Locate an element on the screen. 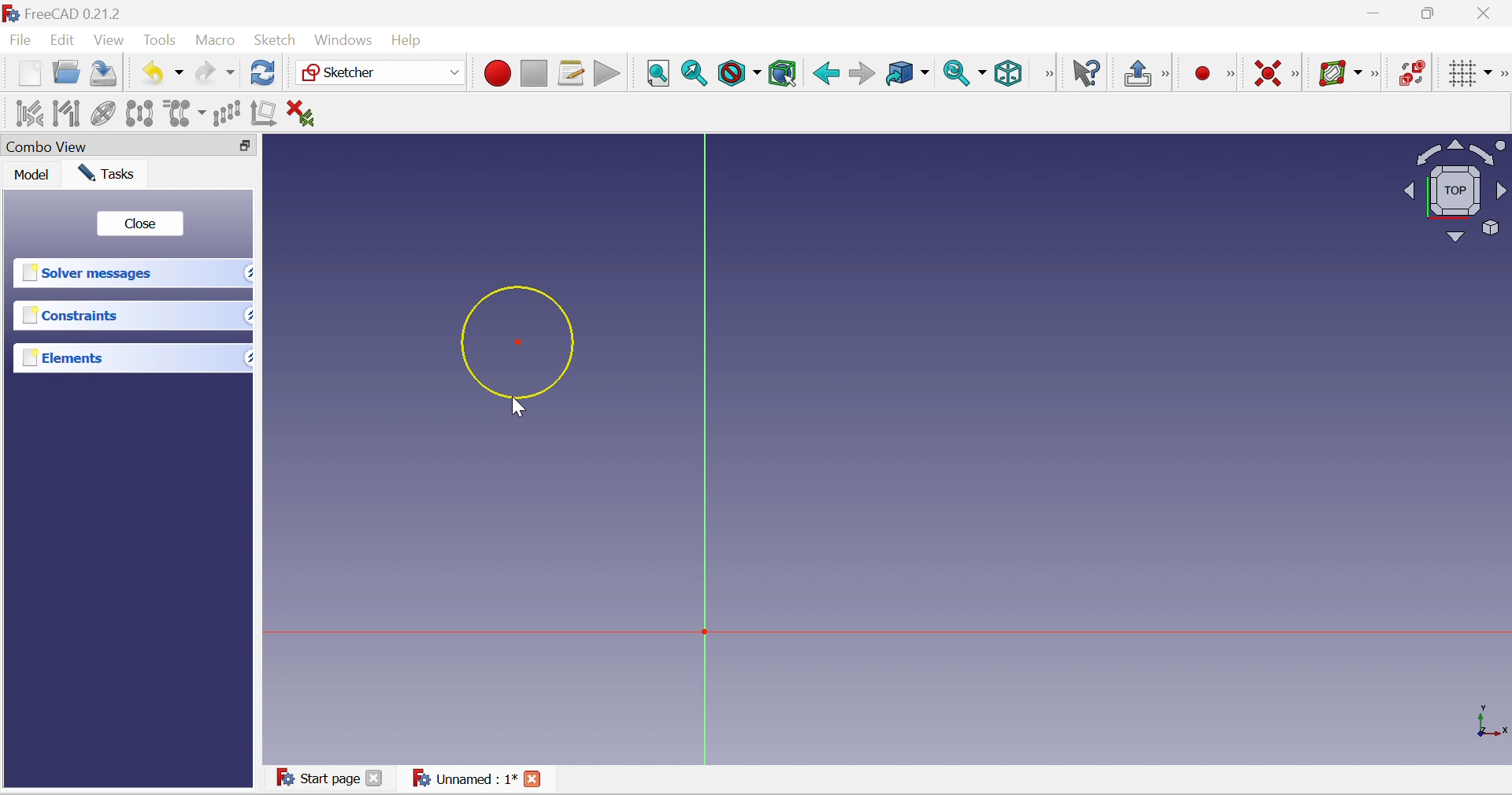  FreeCAD 0.21.2 is located at coordinates (70, 13).